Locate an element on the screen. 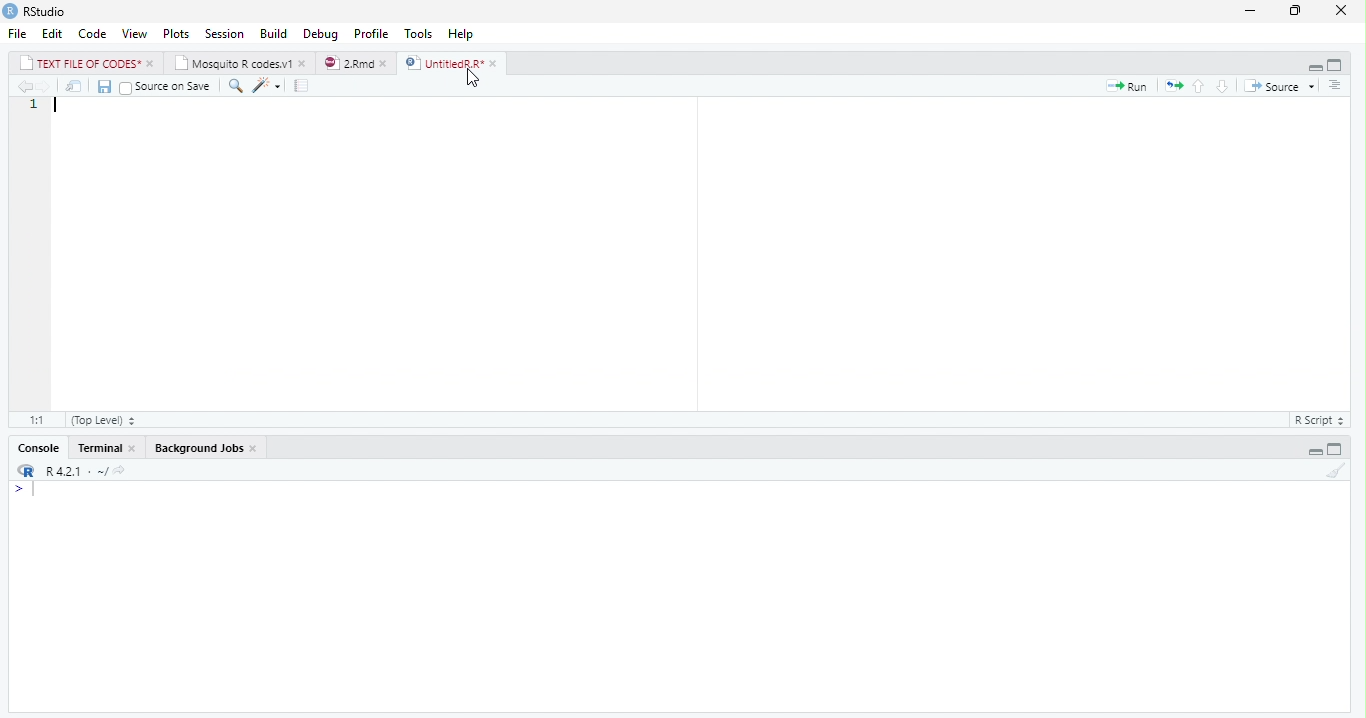  close is located at coordinates (152, 64).